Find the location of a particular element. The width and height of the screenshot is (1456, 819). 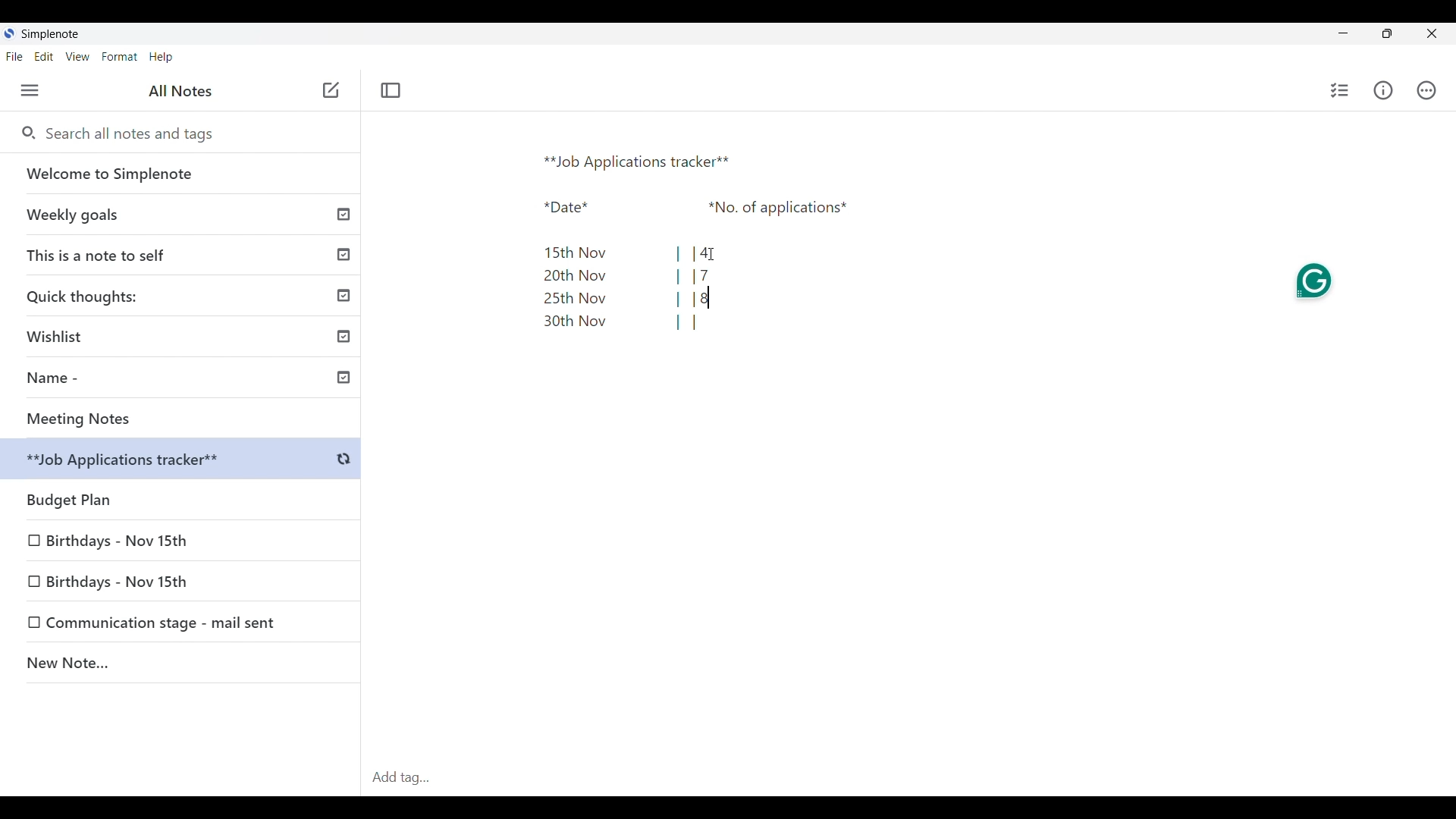

Menu is located at coordinates (30, 90).